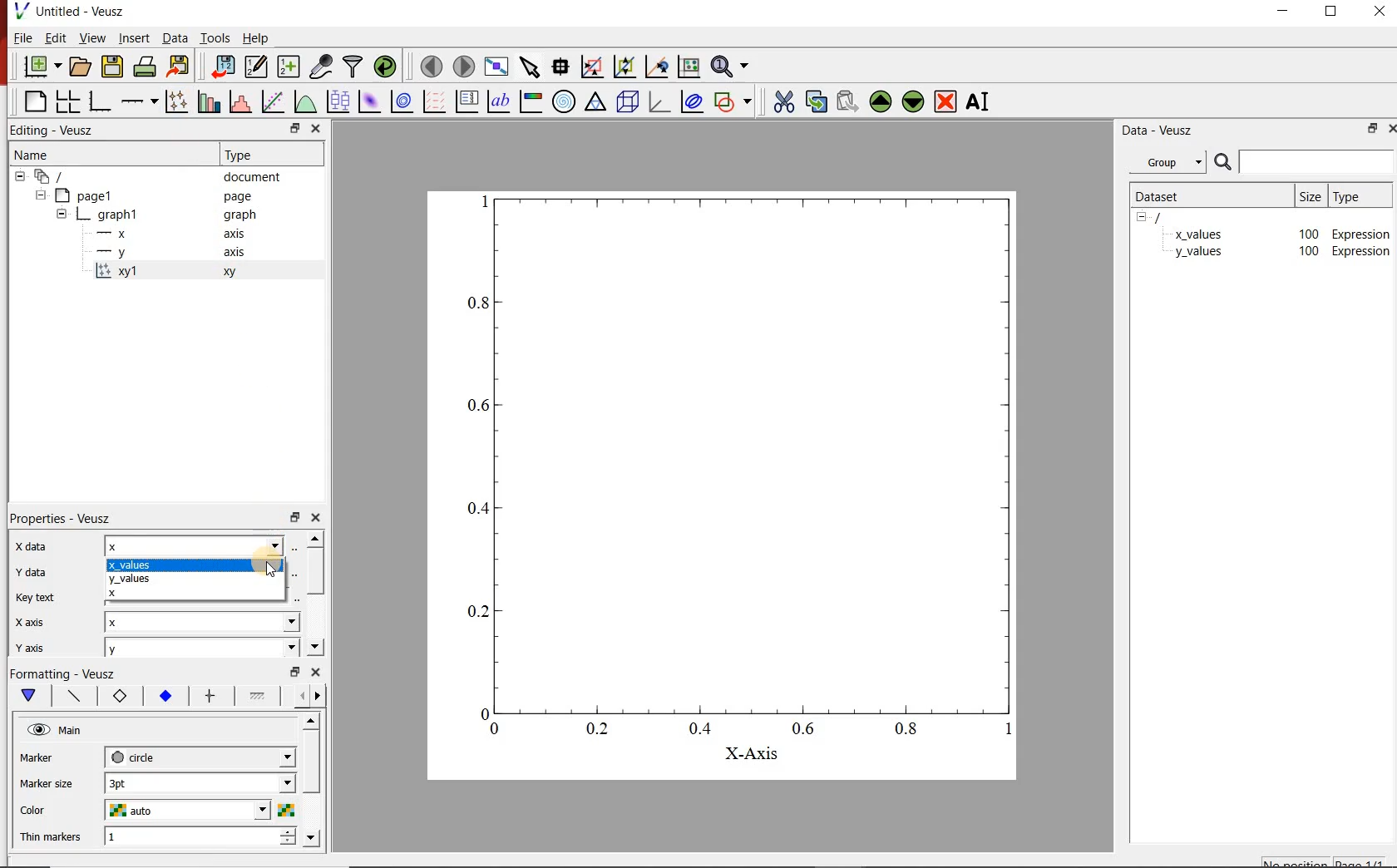  What do you see at coordinates (690, 101) in the screenshot?
I see `plot covariance ellipse` at bounding box center [690, 101].